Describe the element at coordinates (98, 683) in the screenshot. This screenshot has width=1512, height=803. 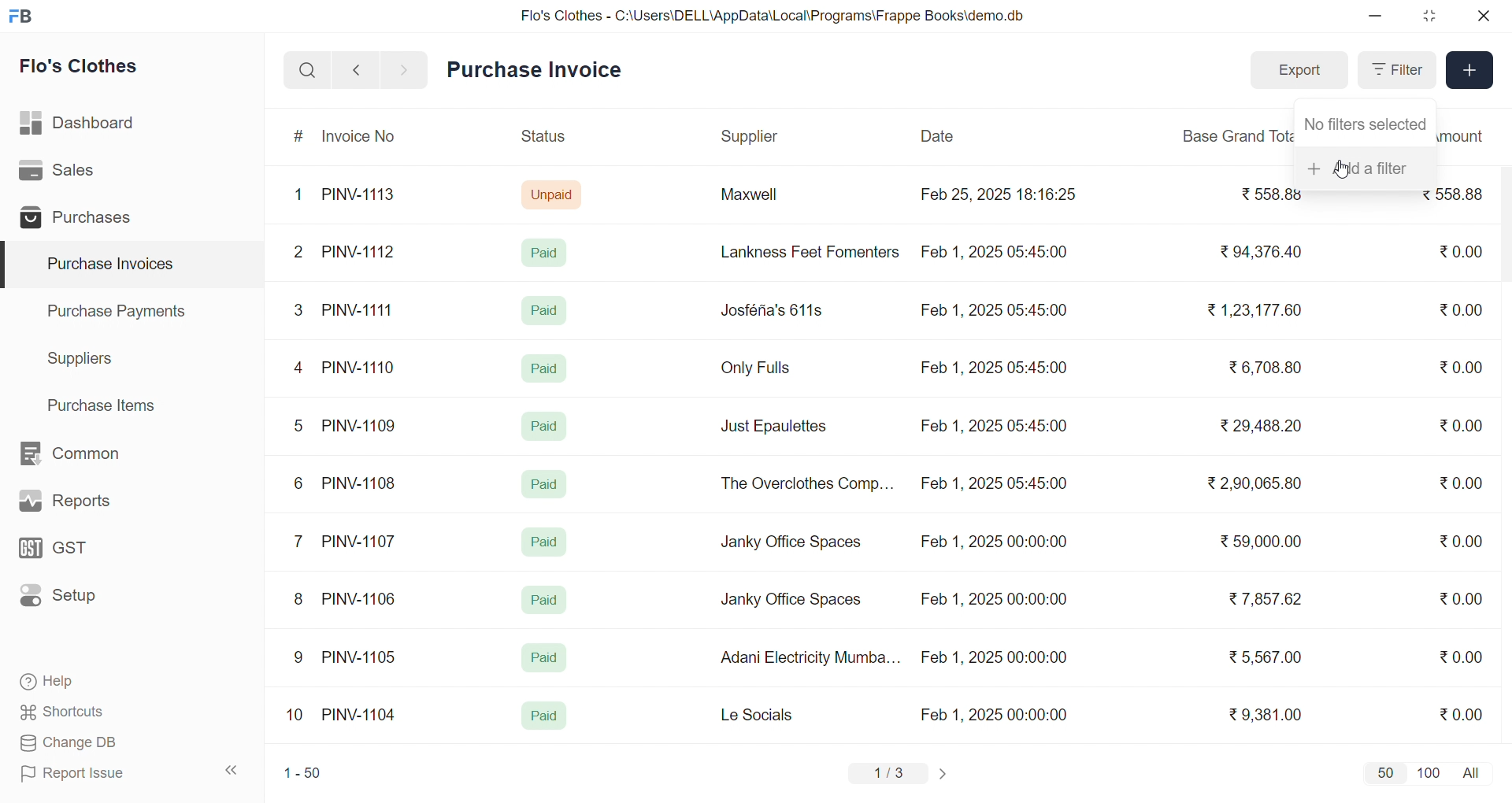
I see `Help` at that location.